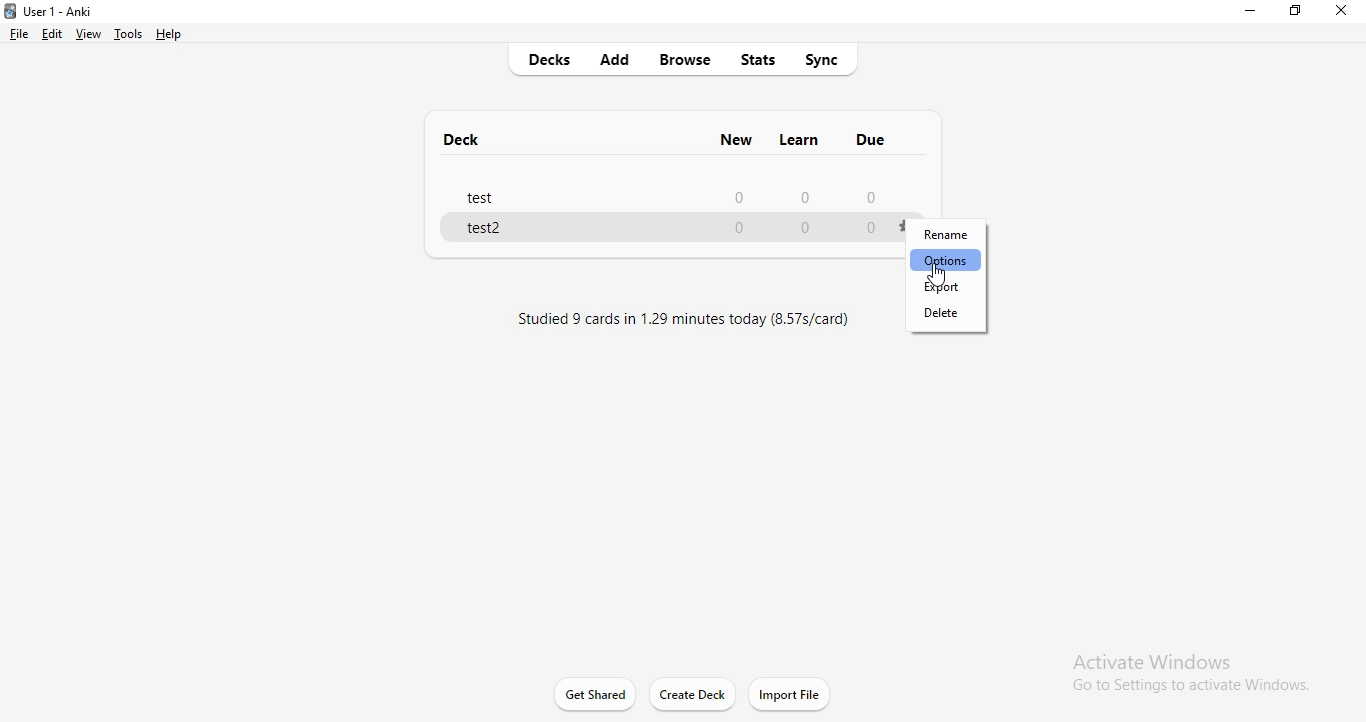  What do you see at coordinates (937, 275) in the screenshot?
I see `Cursor` at bounding box center [937, 275].